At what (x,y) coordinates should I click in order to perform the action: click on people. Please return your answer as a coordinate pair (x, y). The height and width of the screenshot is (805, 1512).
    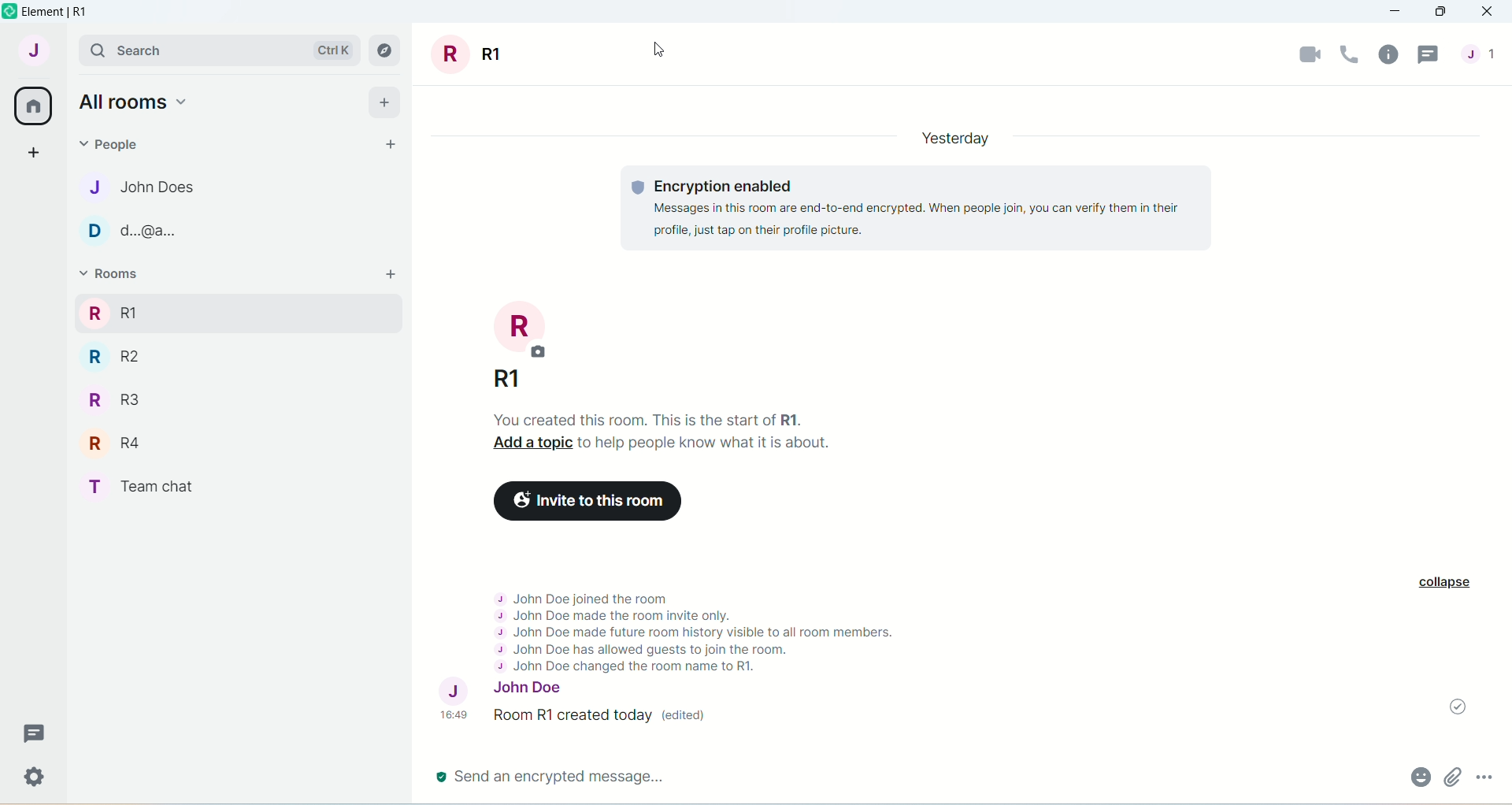
    Looking at the image, I should click on (1483, 54).